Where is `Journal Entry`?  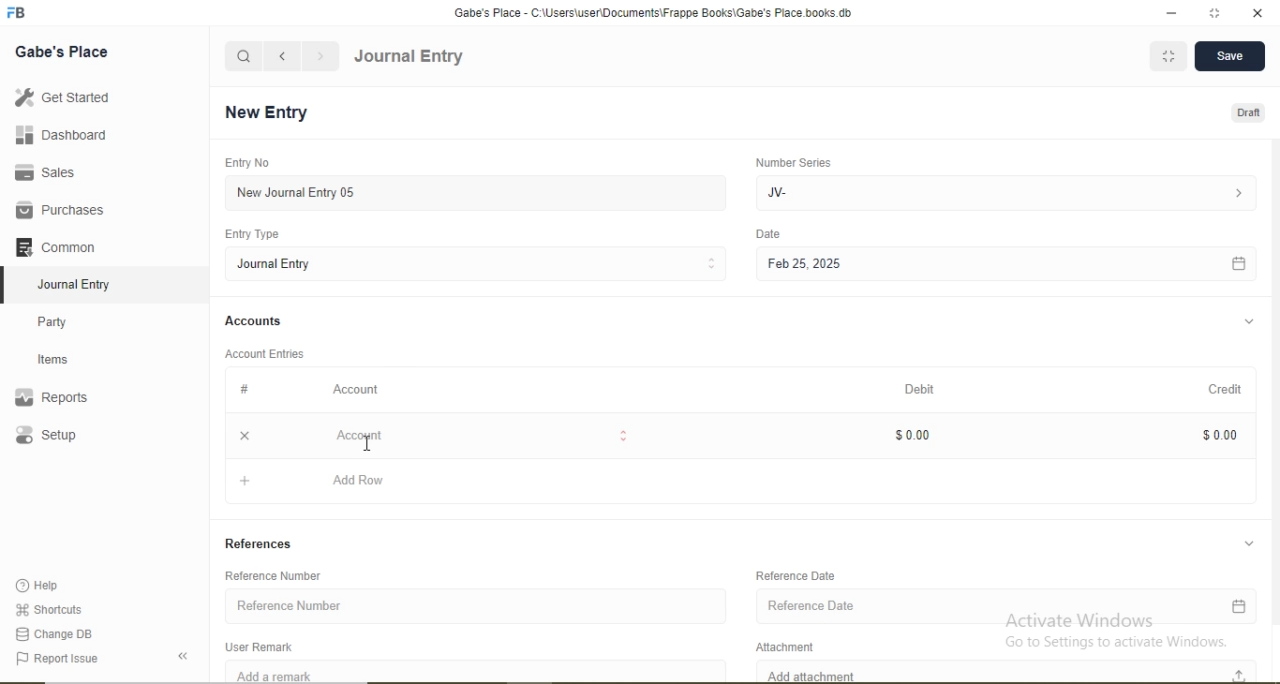 Journal Entry is located at coordinates (409, 57).